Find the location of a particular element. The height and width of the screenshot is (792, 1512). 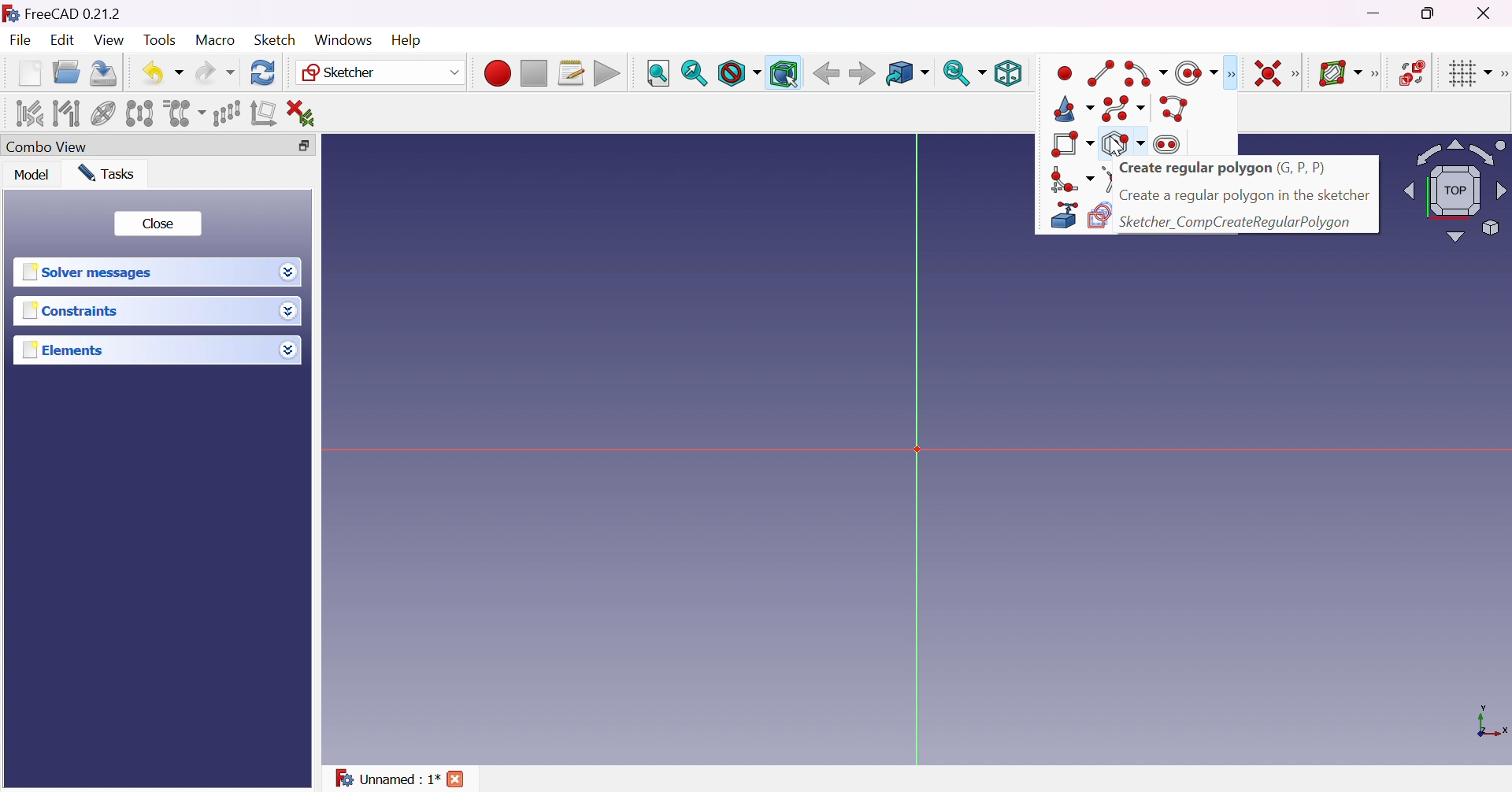

Constrain coincident is located at coordinates (1266, 73).